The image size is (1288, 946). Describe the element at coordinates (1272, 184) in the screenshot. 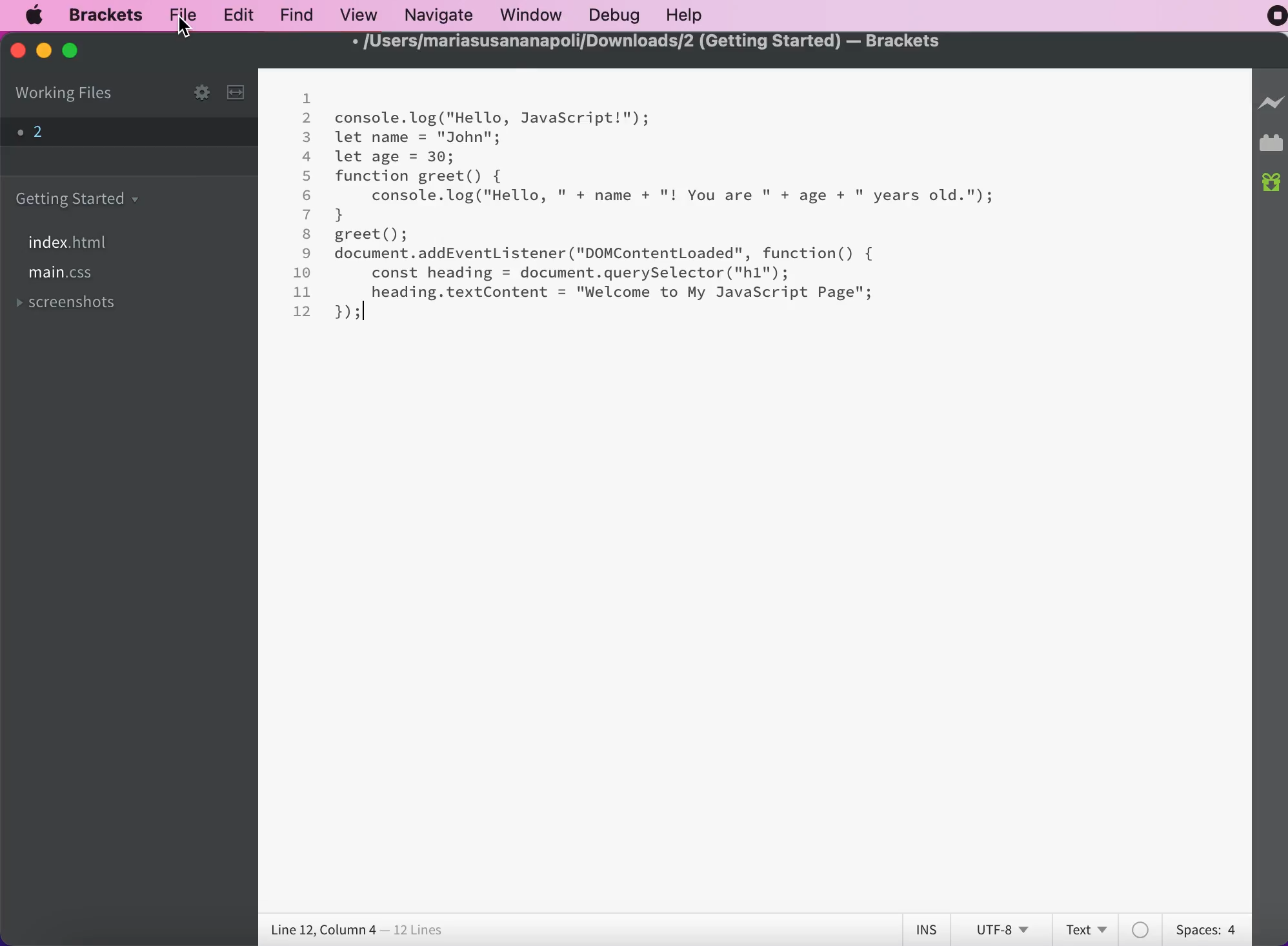

I see `new build of brackets` at that location.